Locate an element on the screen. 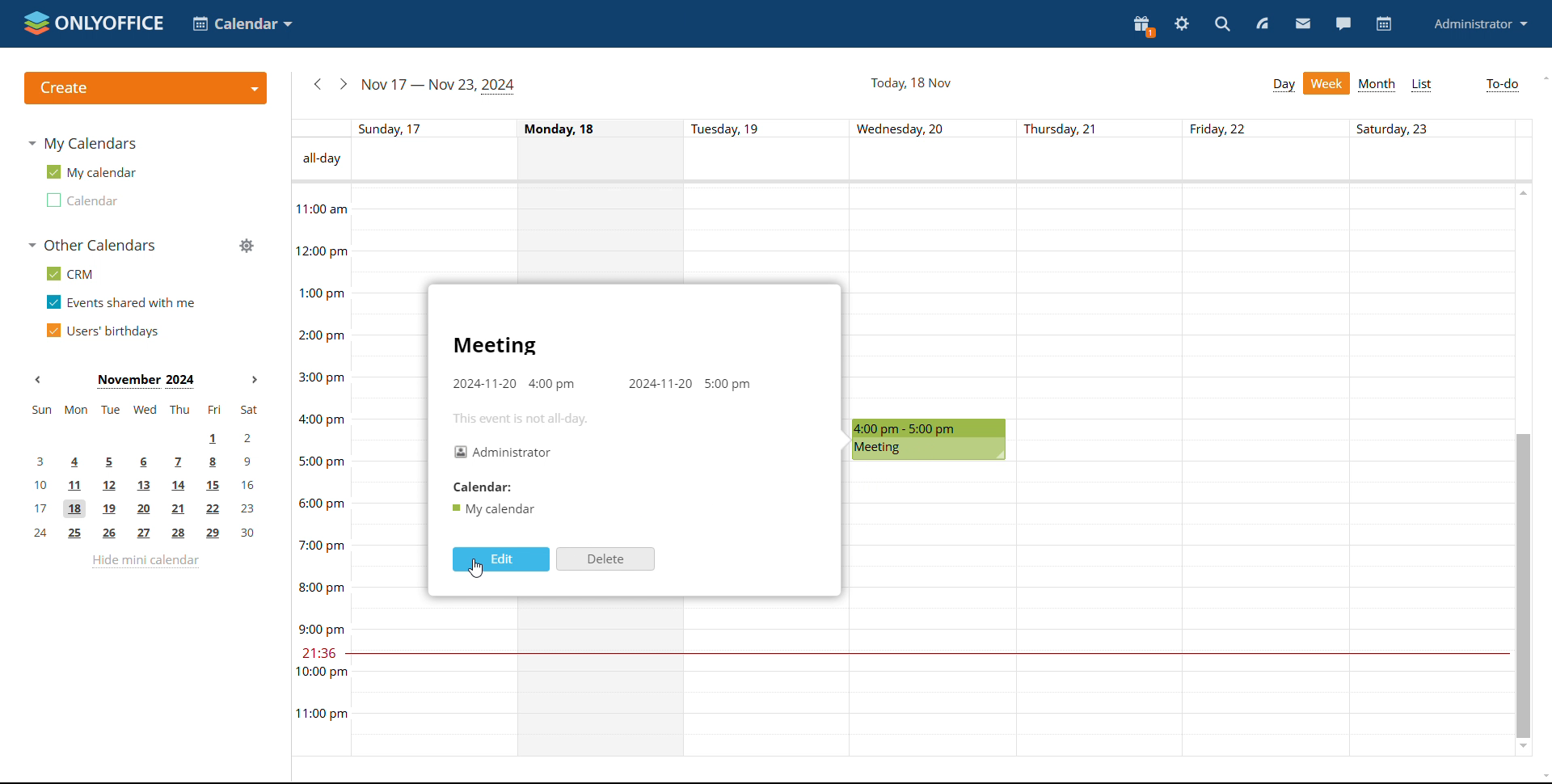  Monday is located at coordinates (603, 680).